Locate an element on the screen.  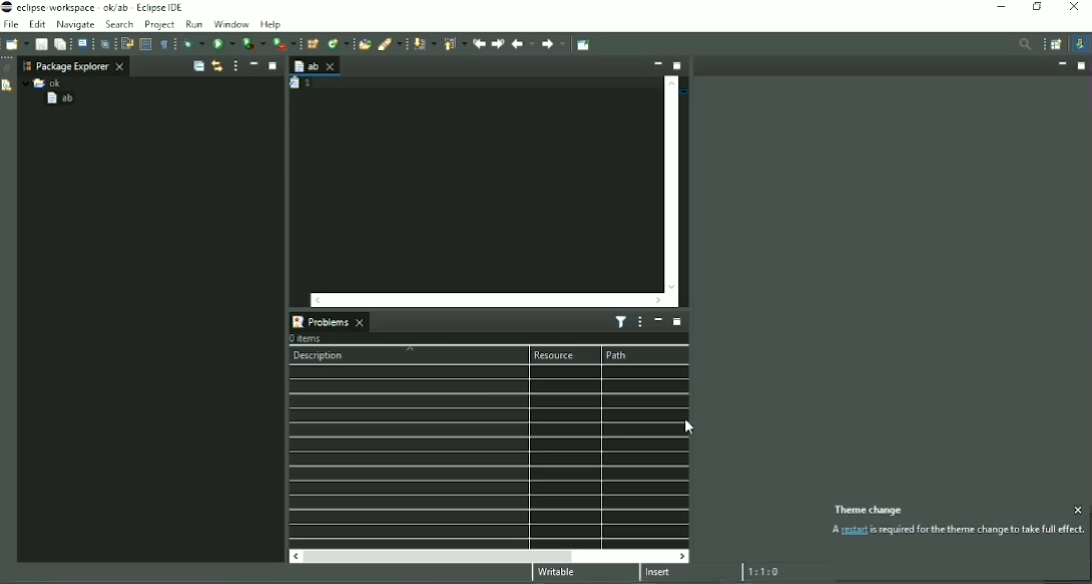
Description is located at coordinates (319, 356).